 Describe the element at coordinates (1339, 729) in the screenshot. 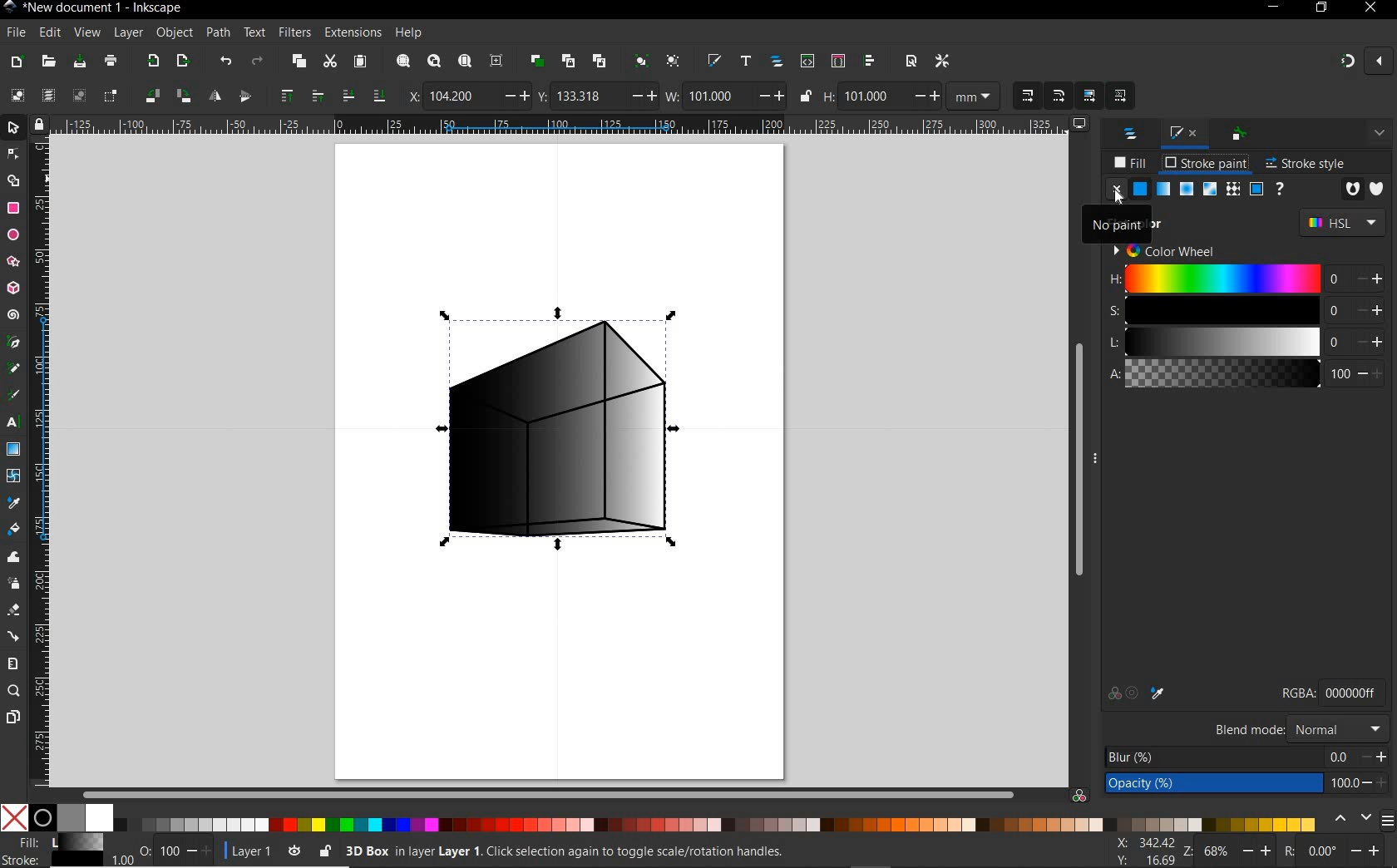

I see `normal` at that location.